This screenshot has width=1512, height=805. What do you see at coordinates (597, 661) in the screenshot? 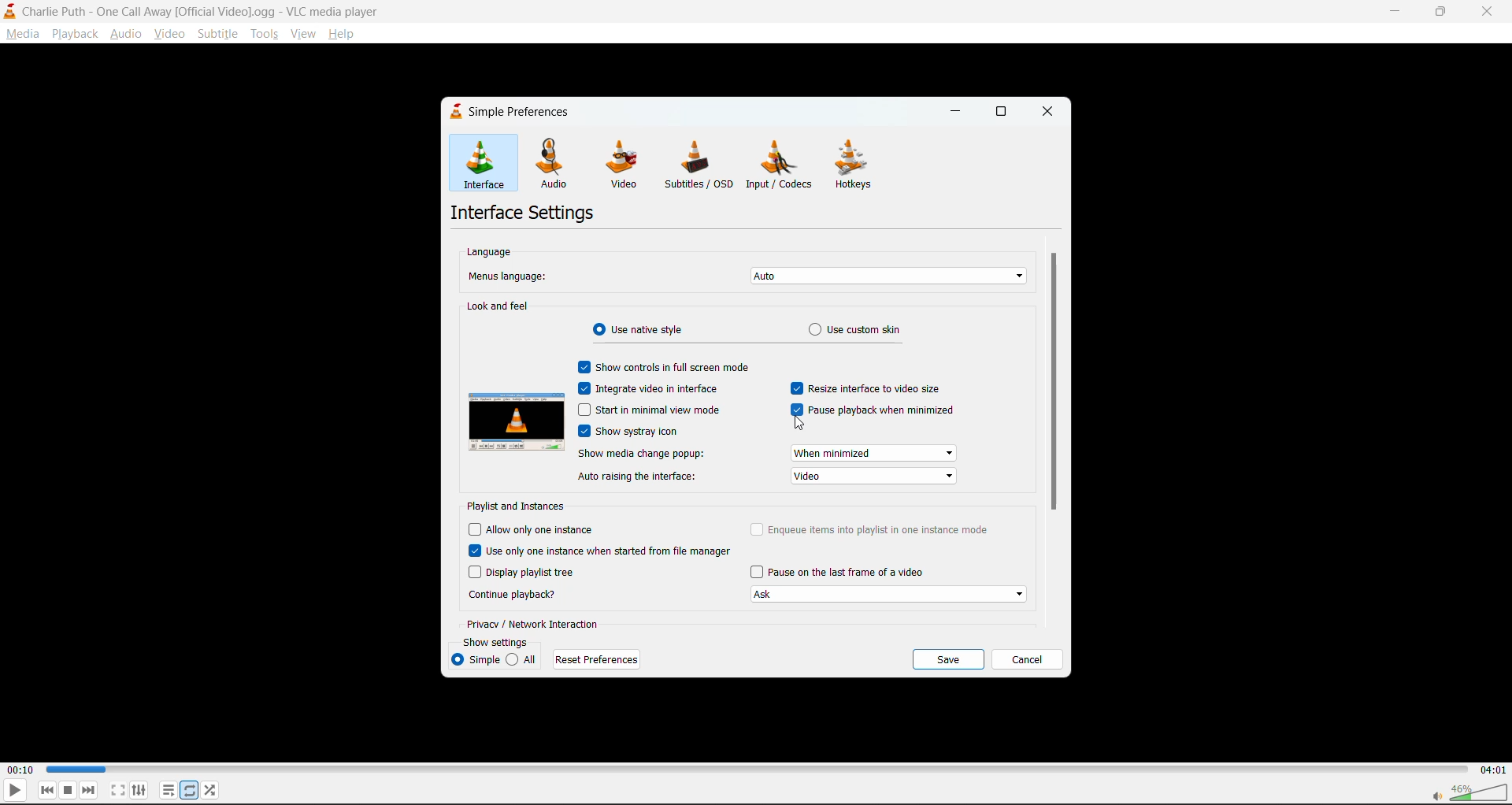
I see `reset preferences` at bounding box center [597, 661].